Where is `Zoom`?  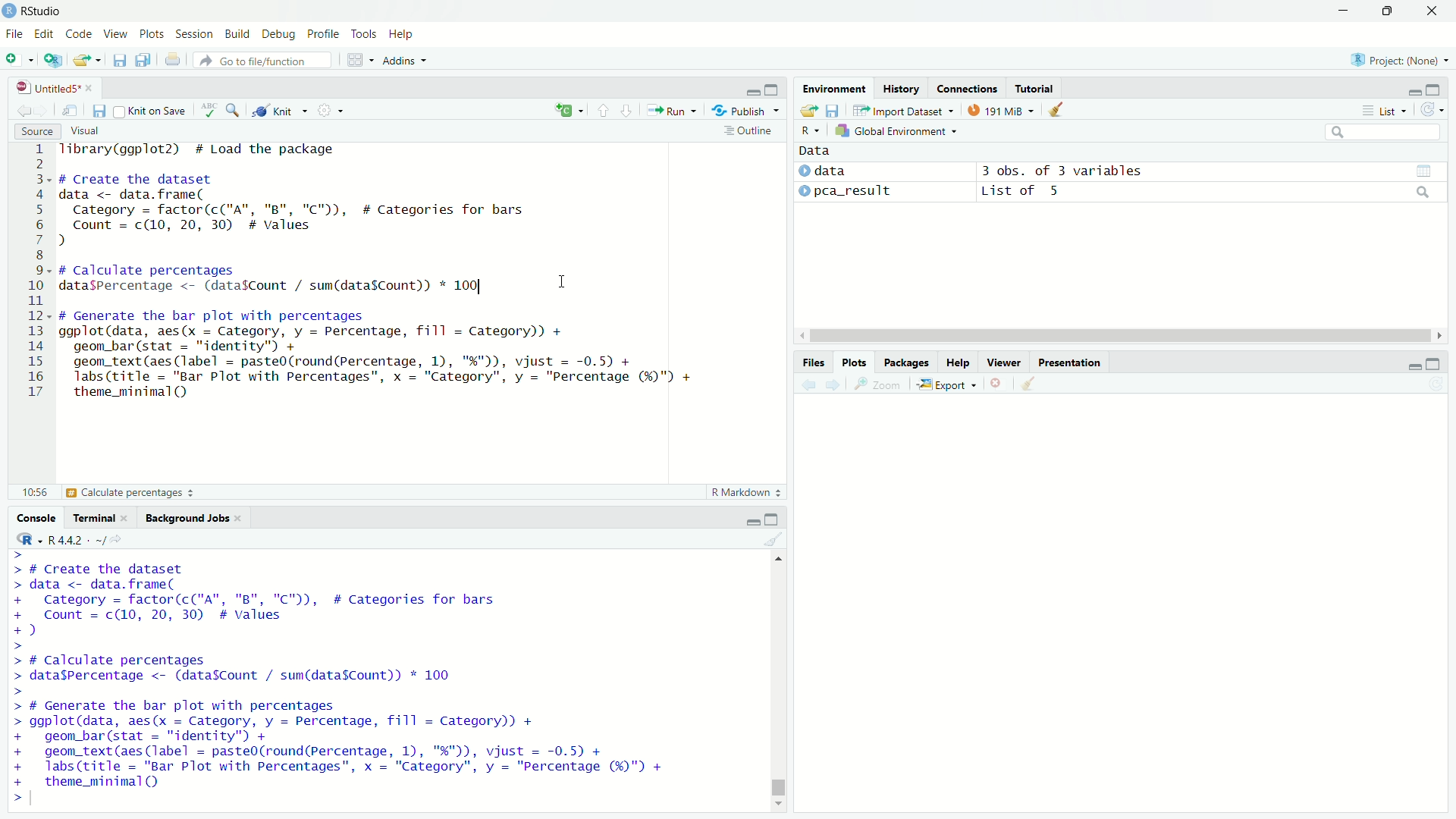
Zoom is located at coordinates (878, 384).